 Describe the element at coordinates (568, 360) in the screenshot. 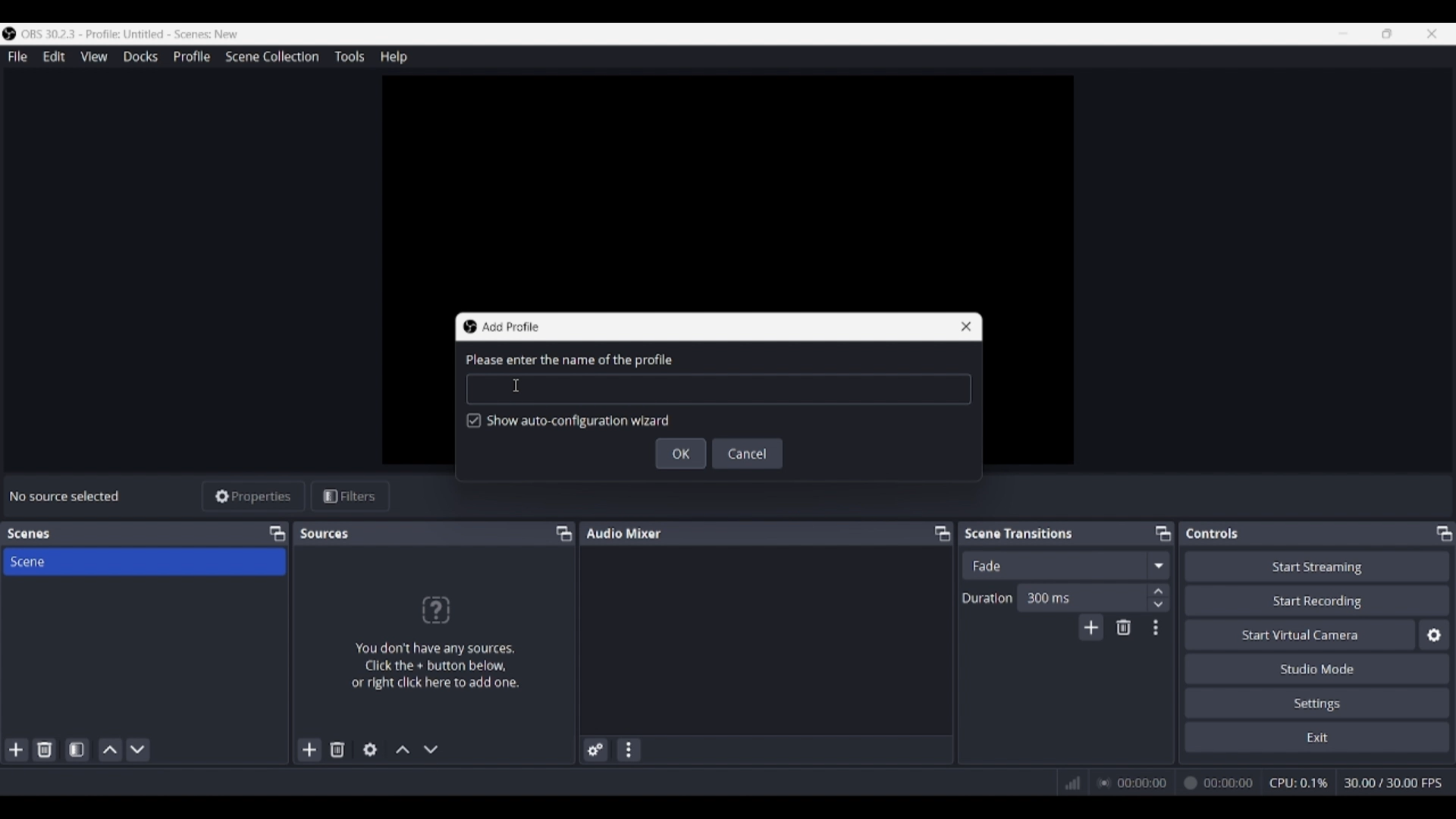

I see `Indicates text box to enter profile name` at that location.